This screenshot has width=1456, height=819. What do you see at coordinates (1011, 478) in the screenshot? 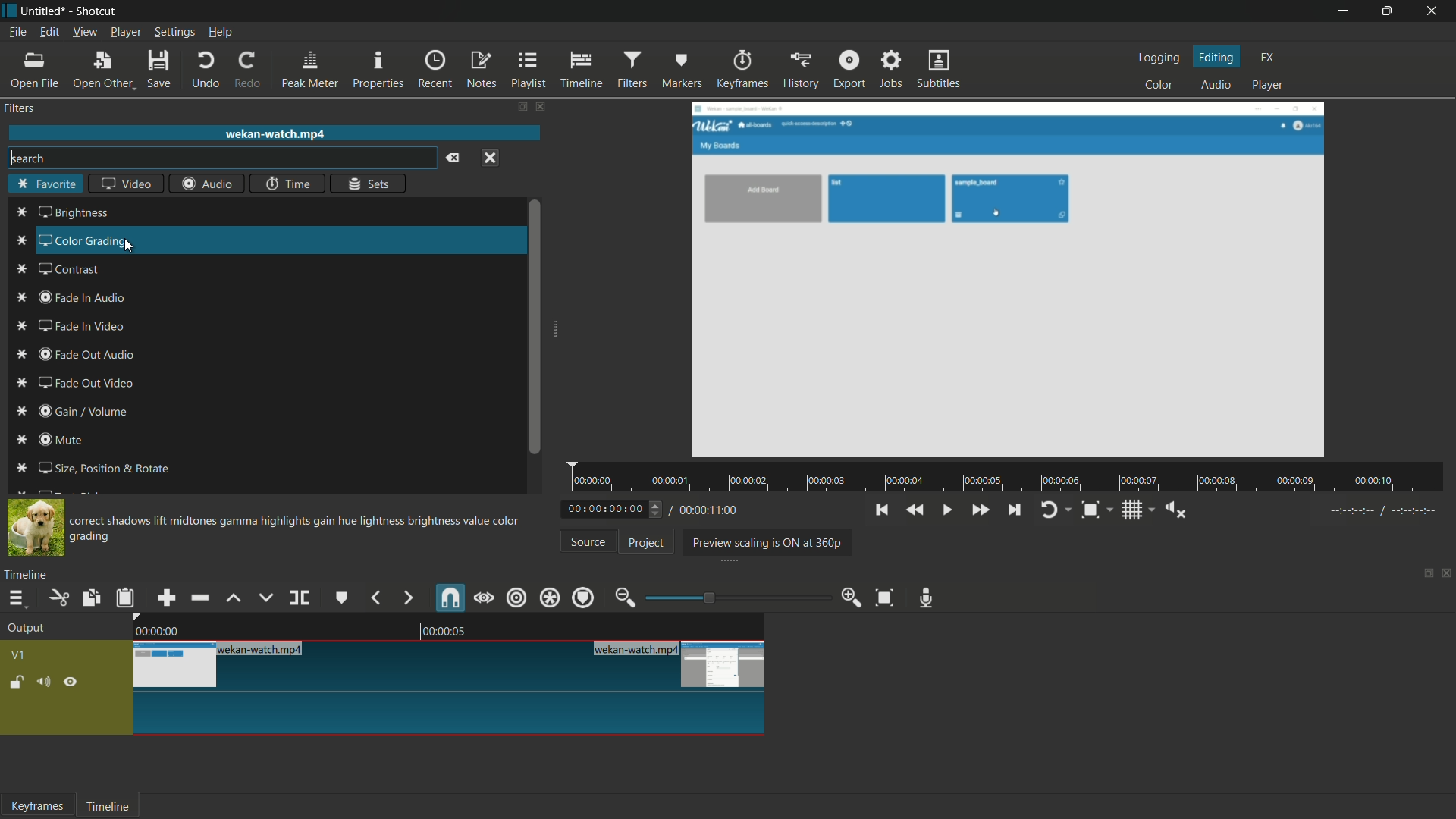
I see `time` at bounding box center [1011, 478].